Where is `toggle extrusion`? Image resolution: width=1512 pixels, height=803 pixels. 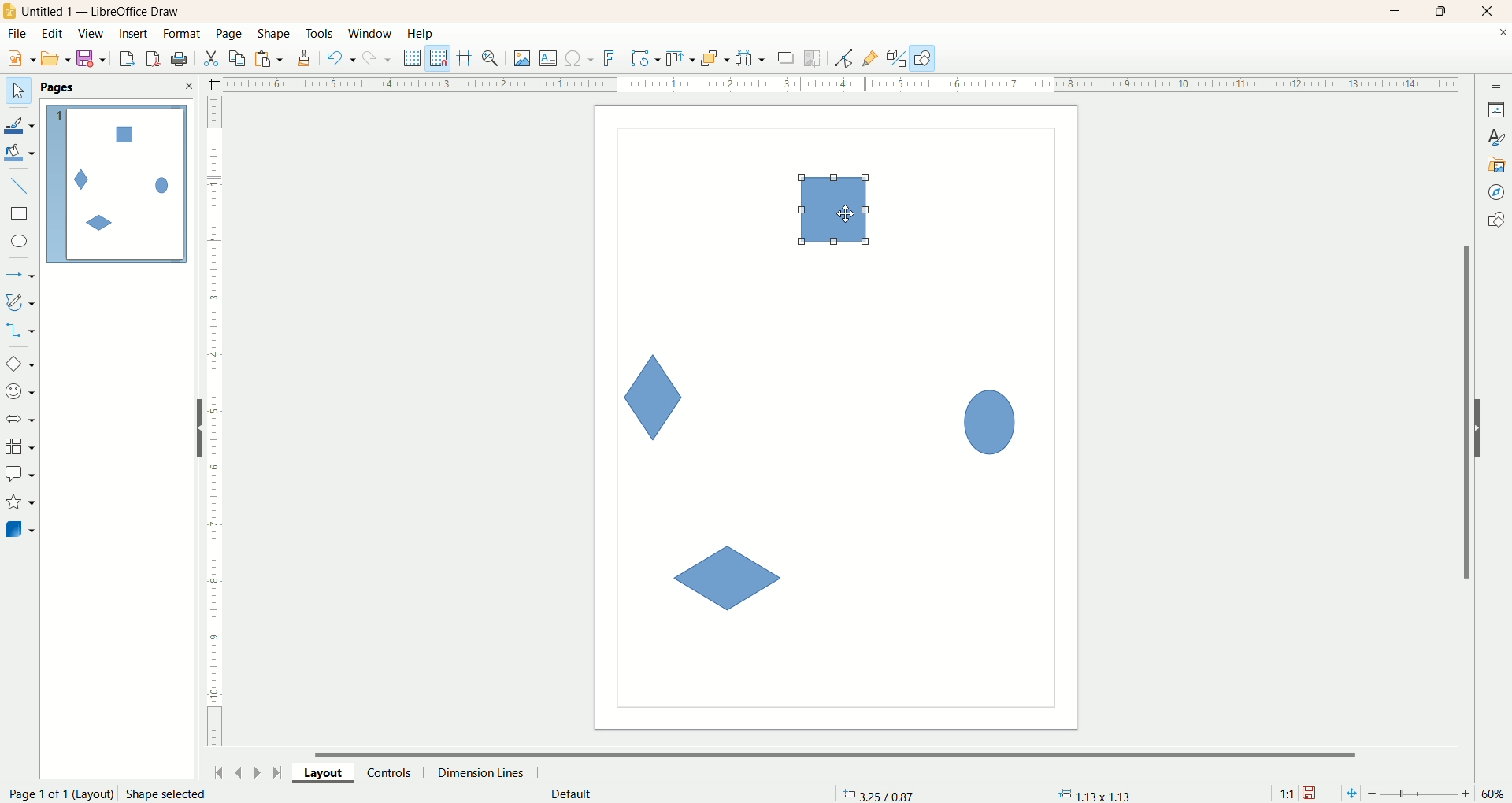 toggle extrusion is located at coordinates (896, 58).